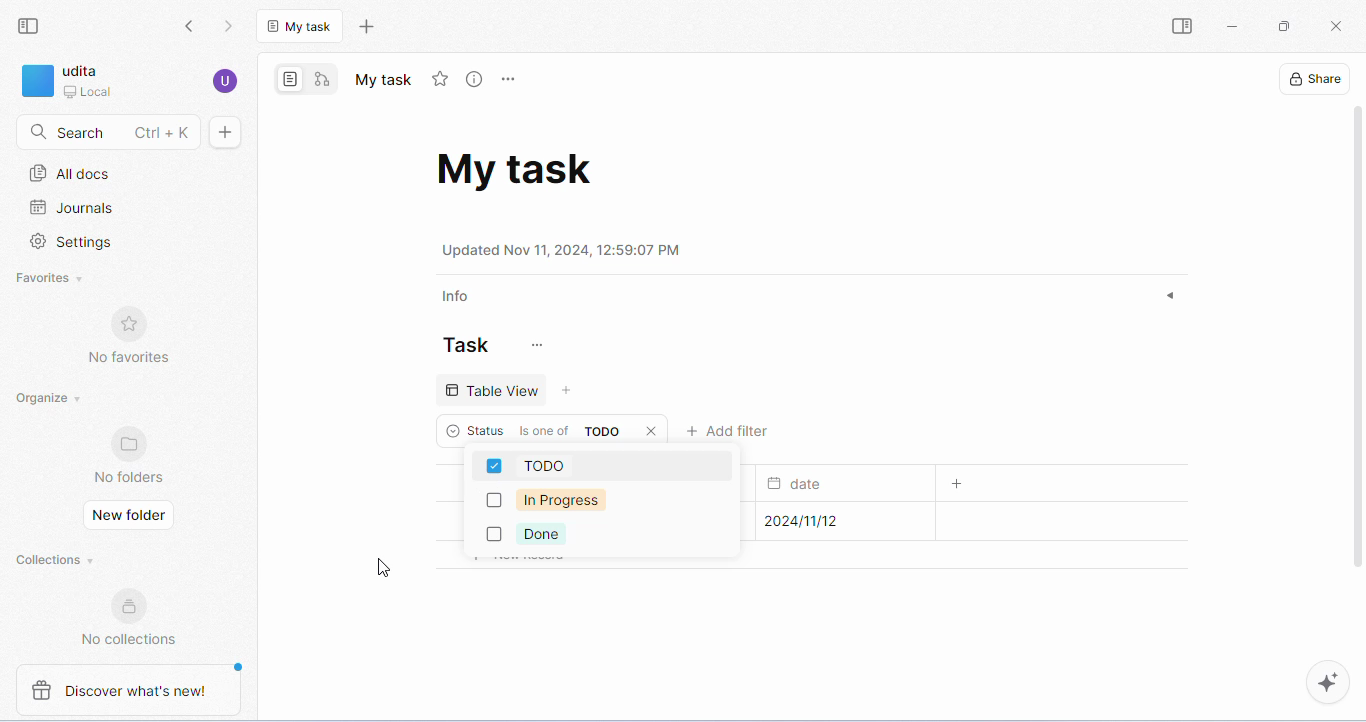 The image size is (1366, 722). I want to click on date, so click(801, 484).